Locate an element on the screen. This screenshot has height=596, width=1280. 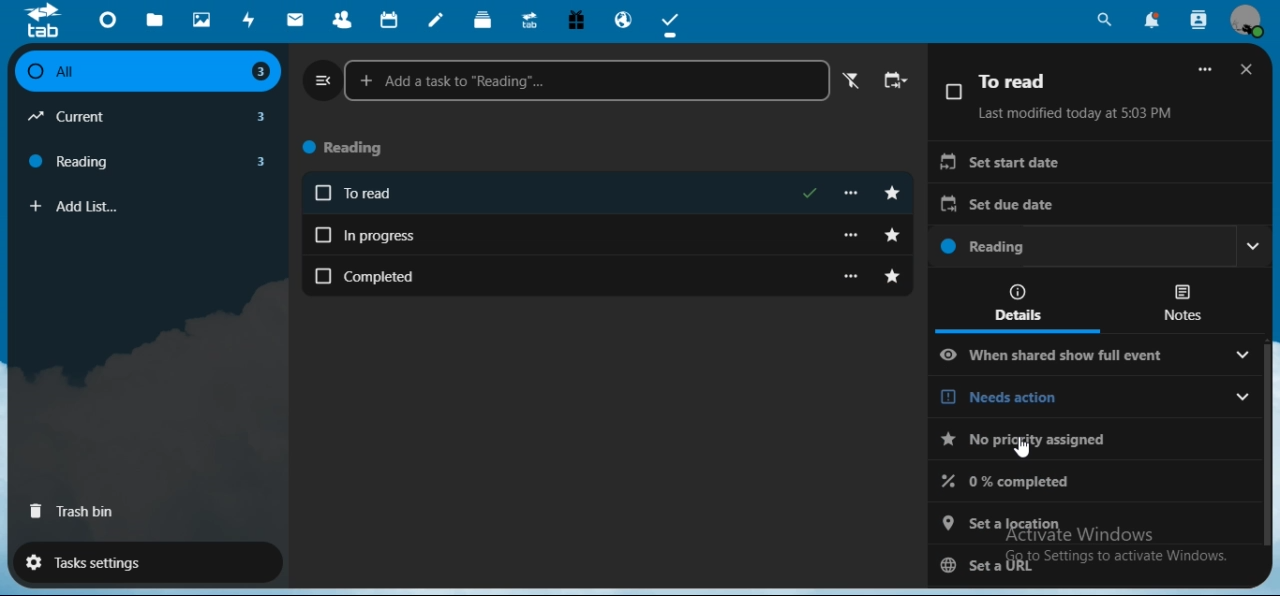
needs action is located at coordinates (1098, 443).